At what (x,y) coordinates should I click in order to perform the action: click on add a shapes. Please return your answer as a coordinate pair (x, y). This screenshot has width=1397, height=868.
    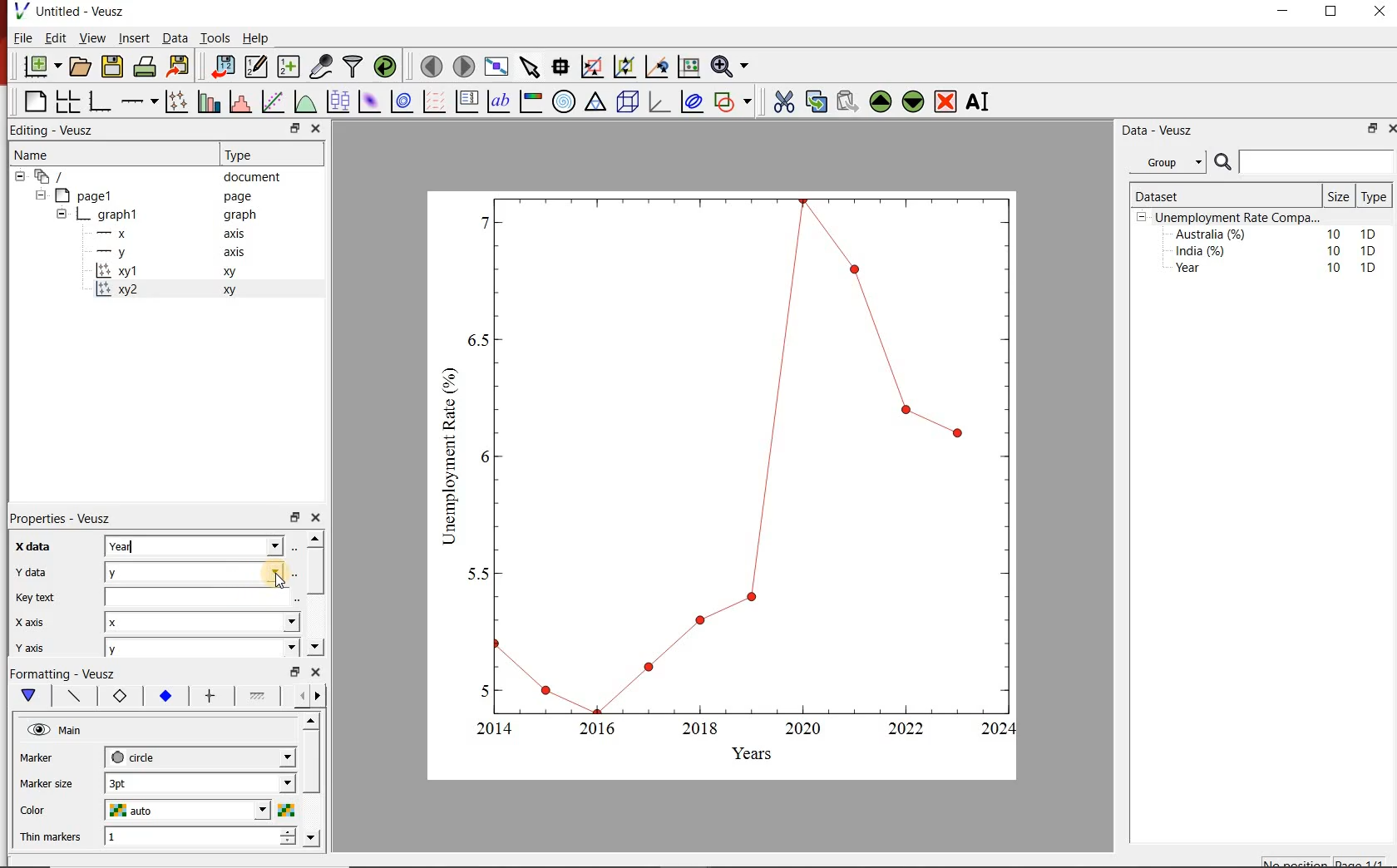
    Looking at the image, I should click on (733, 101).